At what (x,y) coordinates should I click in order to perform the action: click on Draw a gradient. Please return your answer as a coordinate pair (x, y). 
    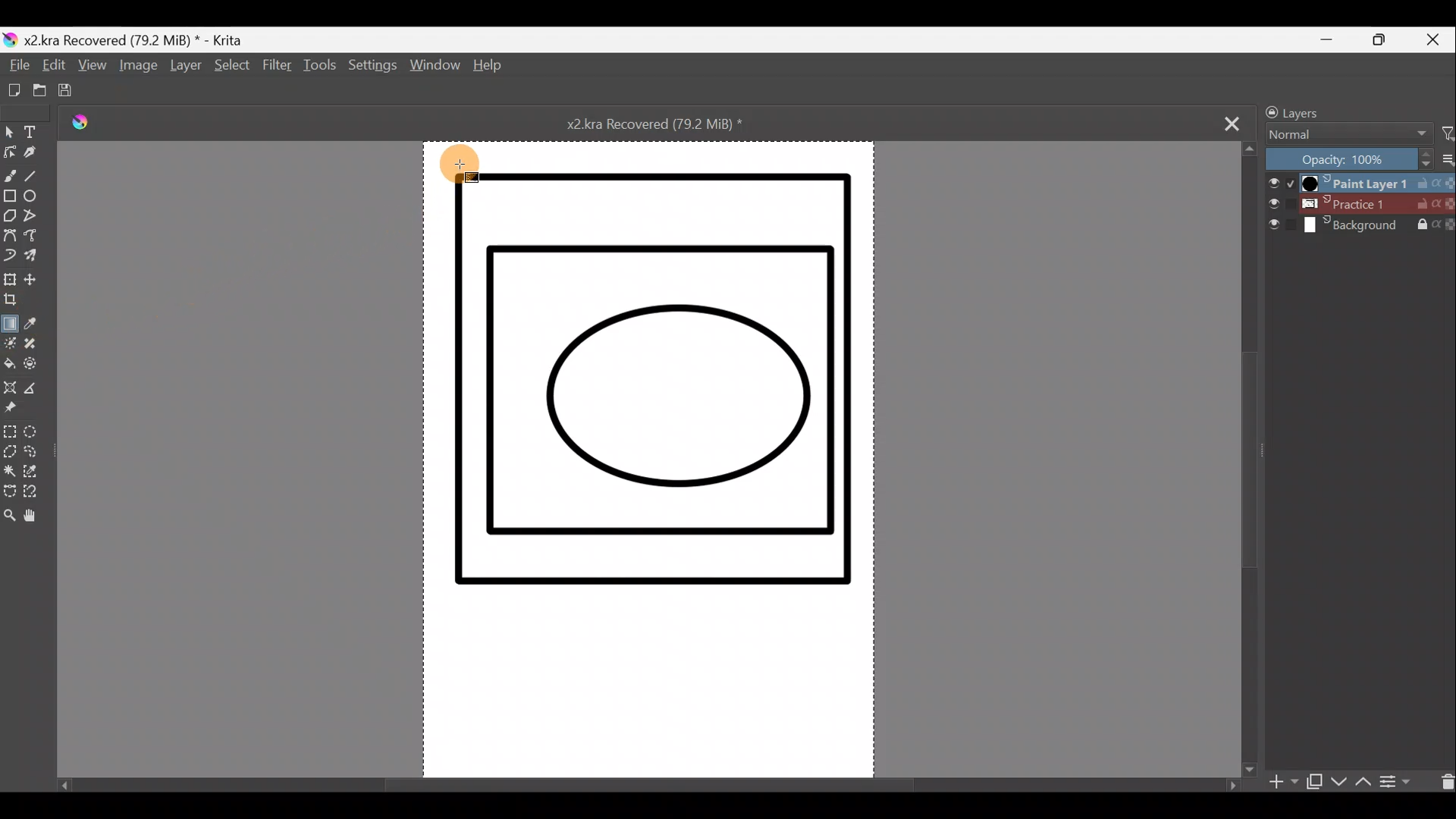
    Looking at the image, I should click on (11, 321).